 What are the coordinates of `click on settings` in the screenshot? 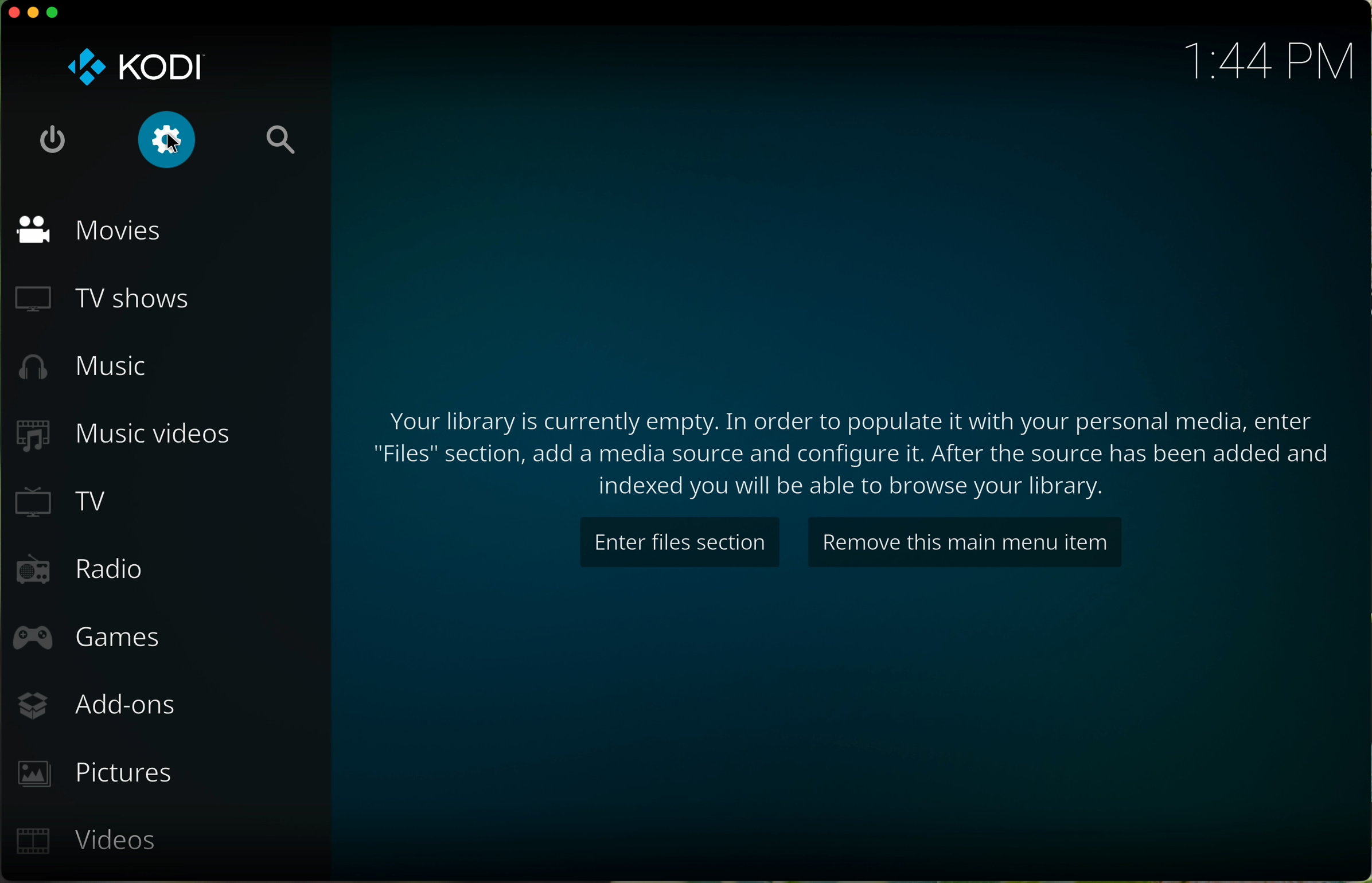 It's located at (168, 140).